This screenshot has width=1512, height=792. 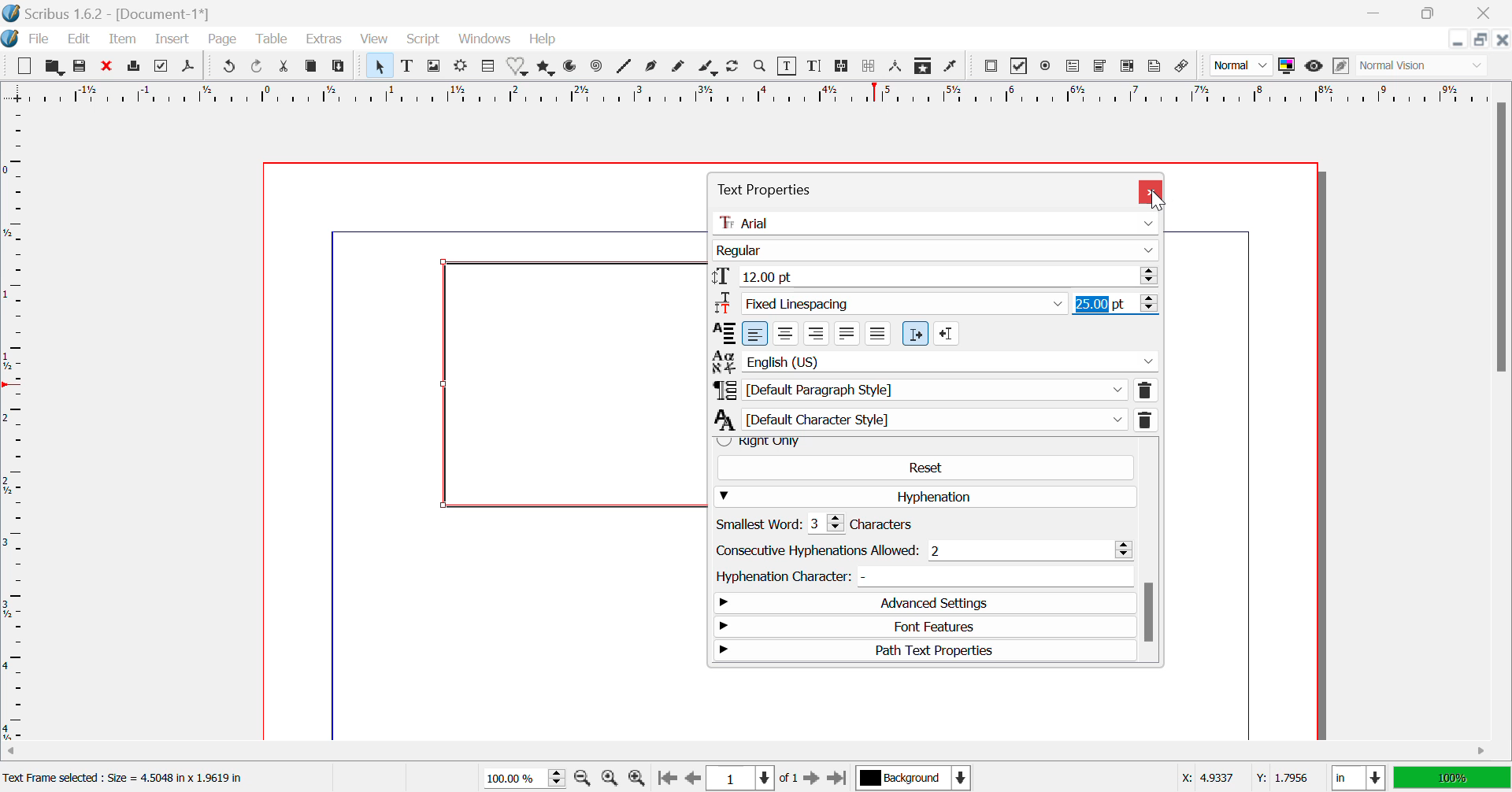 I want to click on Extras, so click(x=323, y=39).